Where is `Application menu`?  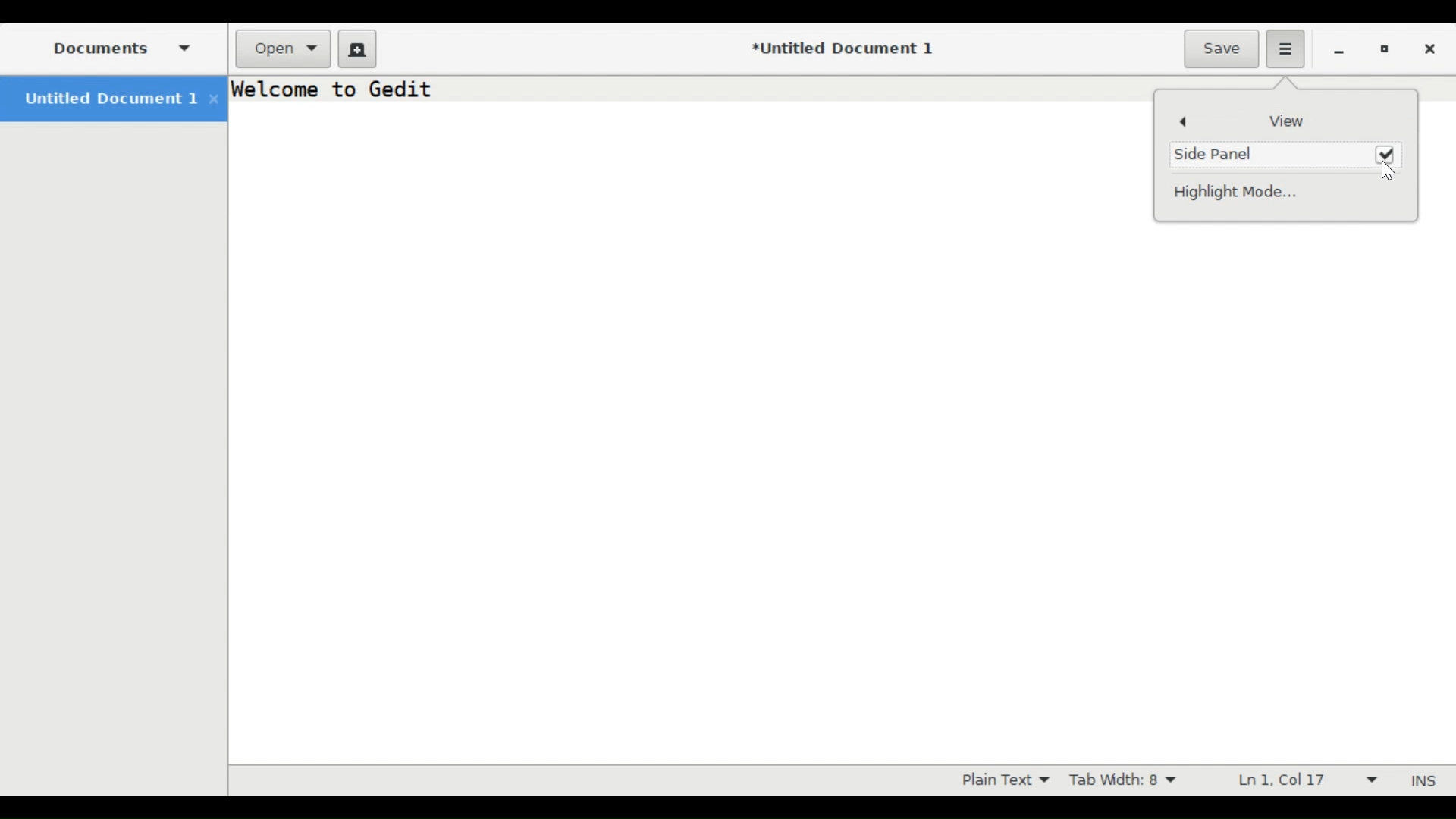 Application menu is located at coordinates (1286, 49).